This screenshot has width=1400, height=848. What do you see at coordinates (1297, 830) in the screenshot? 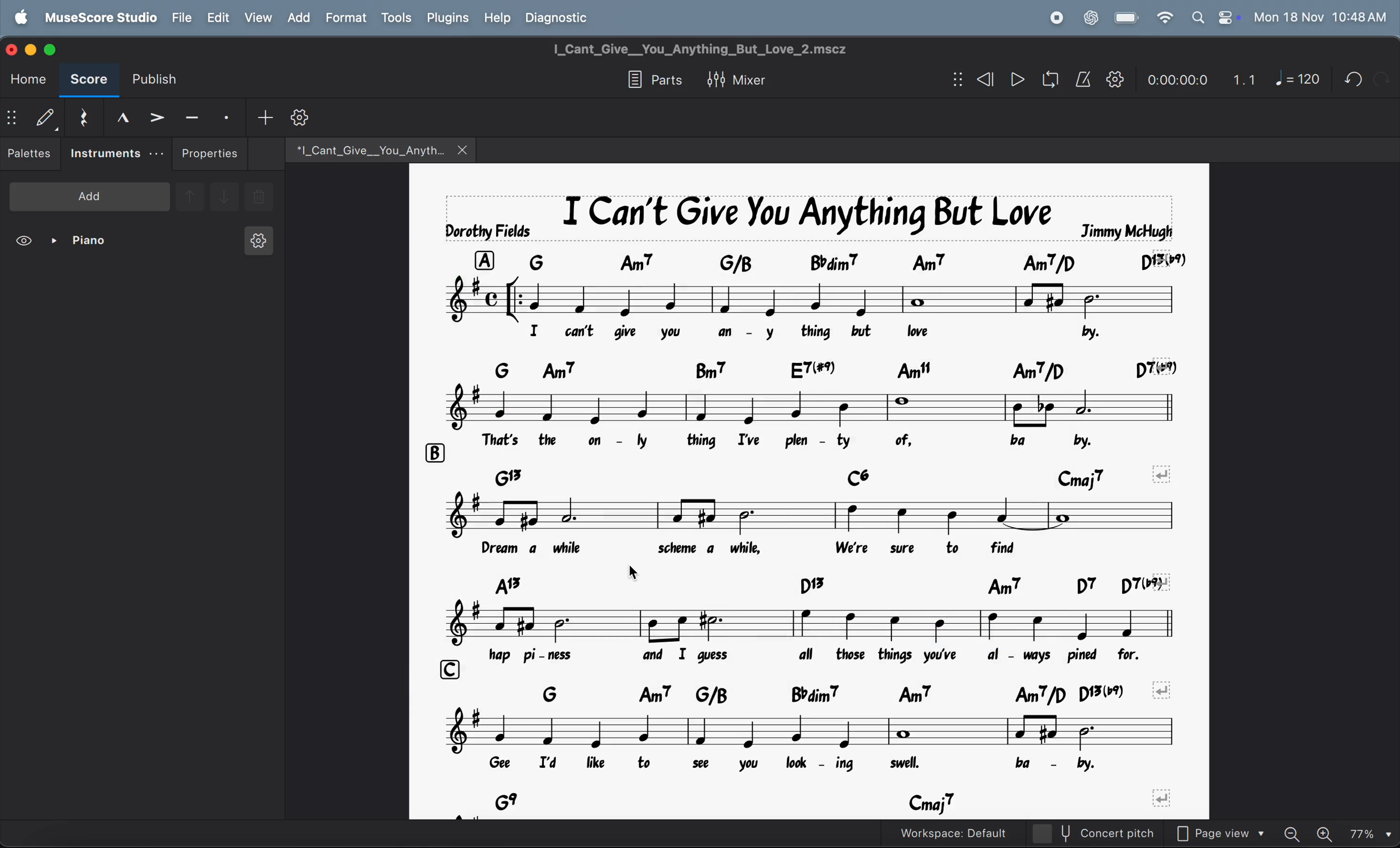
I see `zoom out` at bounding box center [1297, 830].